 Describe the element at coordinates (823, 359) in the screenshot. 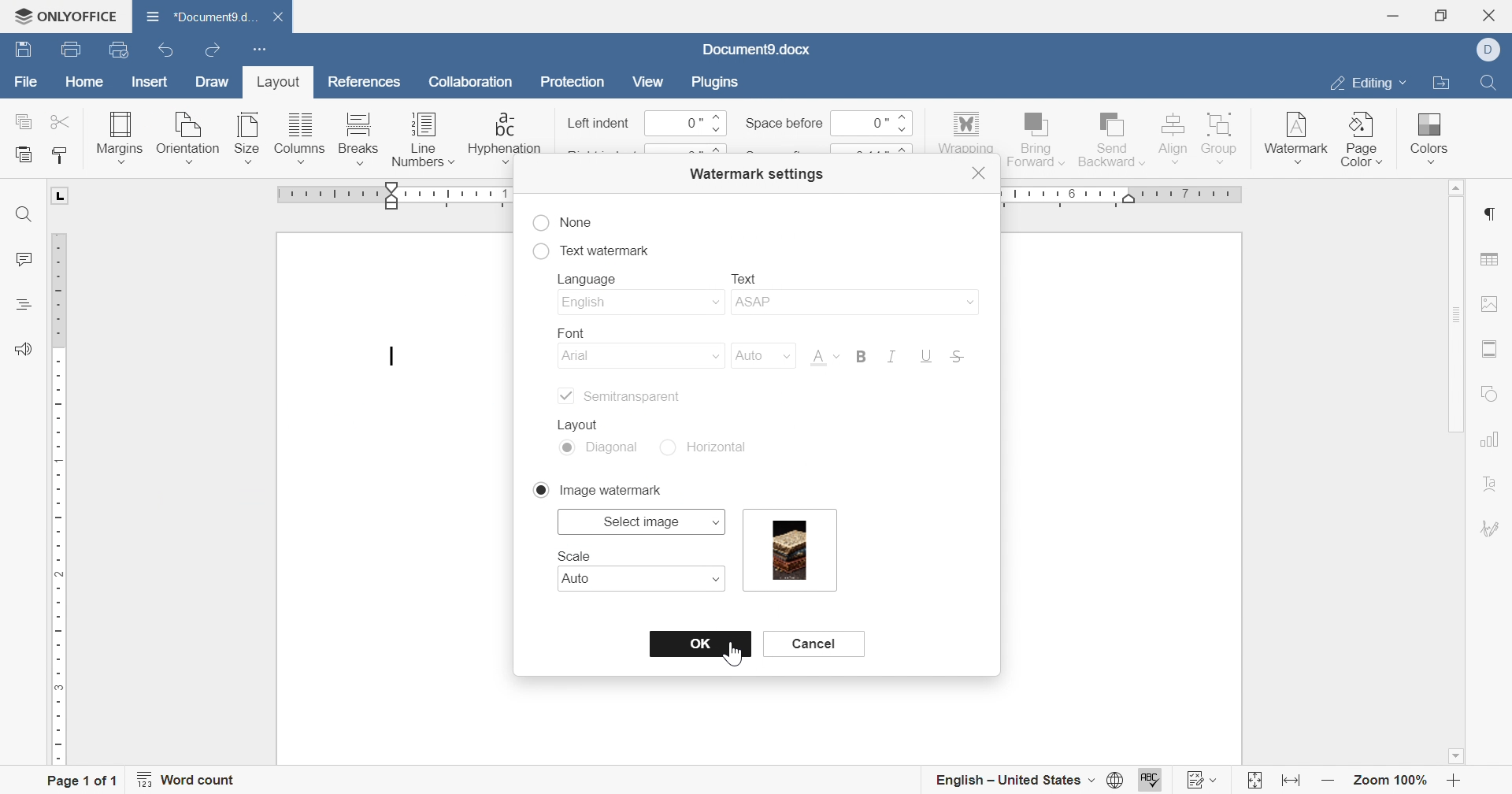

I see `Font` at that location.